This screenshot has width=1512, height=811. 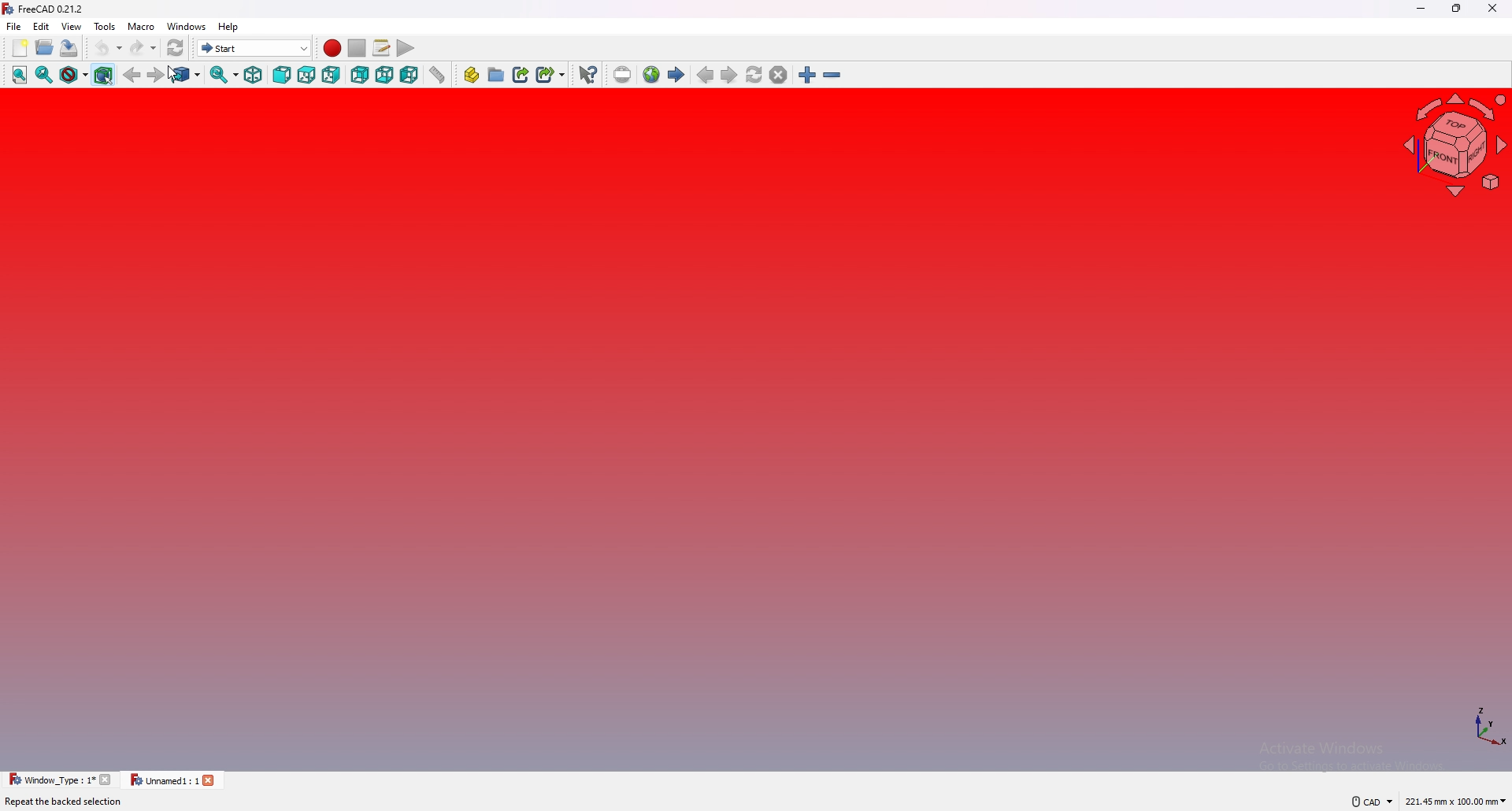 What do you see at coordinates (75, 75) in the screenshot?
I see `draw style` at bounding box center [75, 75].